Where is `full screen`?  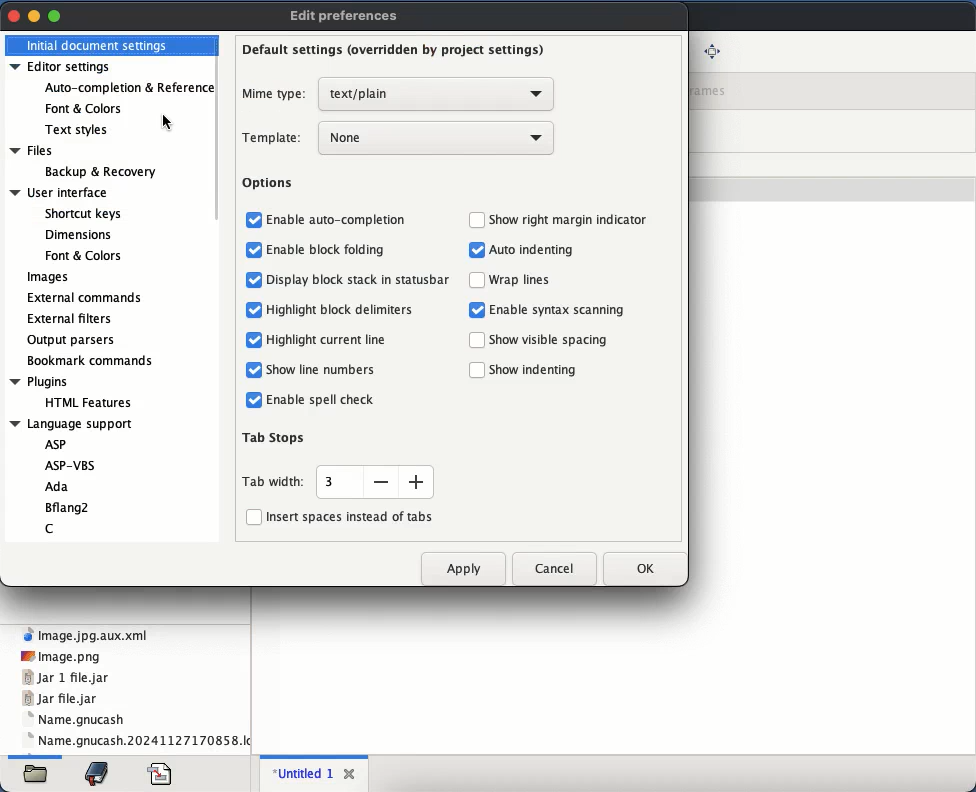 full screen is located at coordinates (712, 50).